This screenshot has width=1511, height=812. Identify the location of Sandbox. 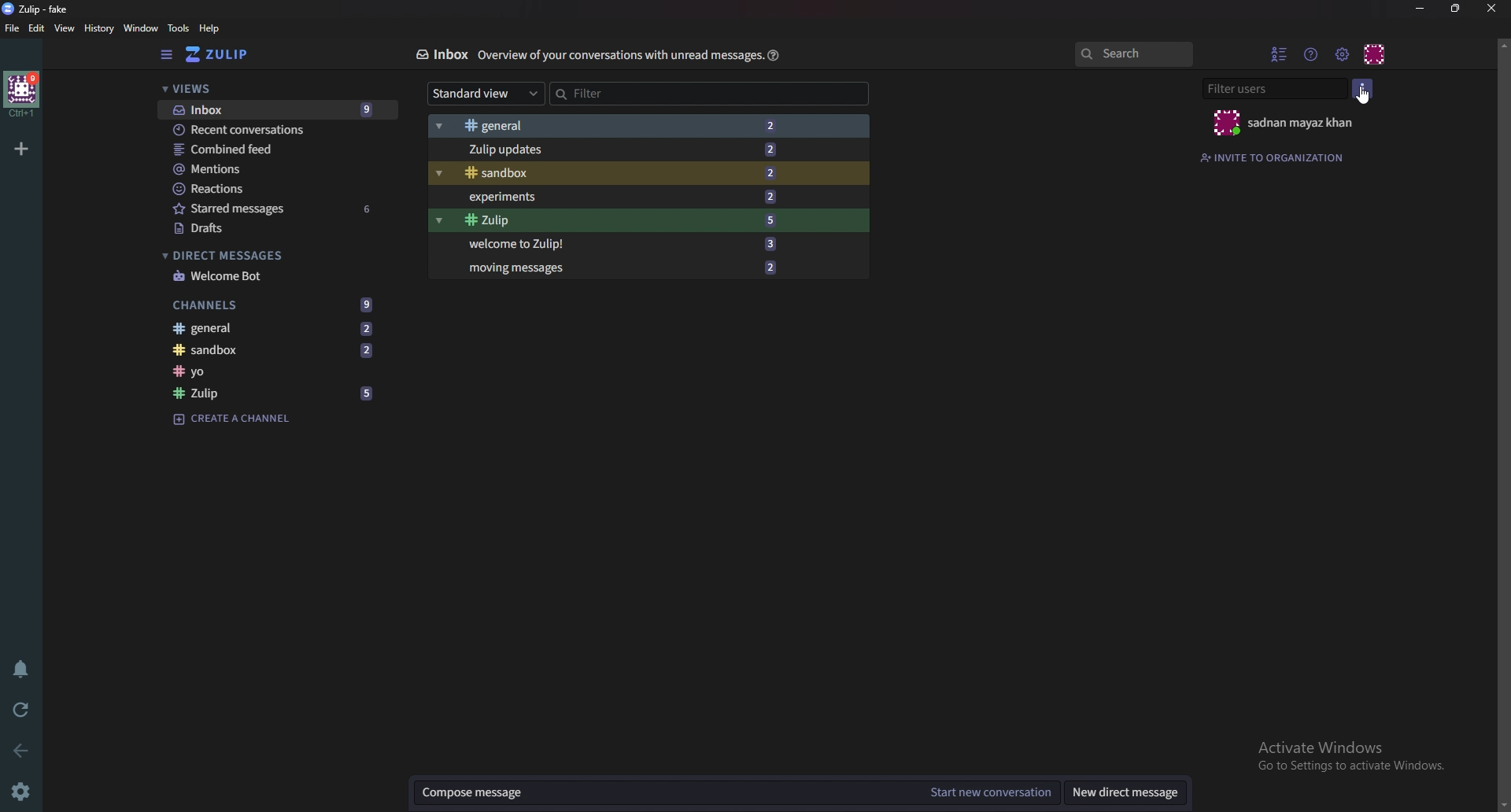
(622, 172).